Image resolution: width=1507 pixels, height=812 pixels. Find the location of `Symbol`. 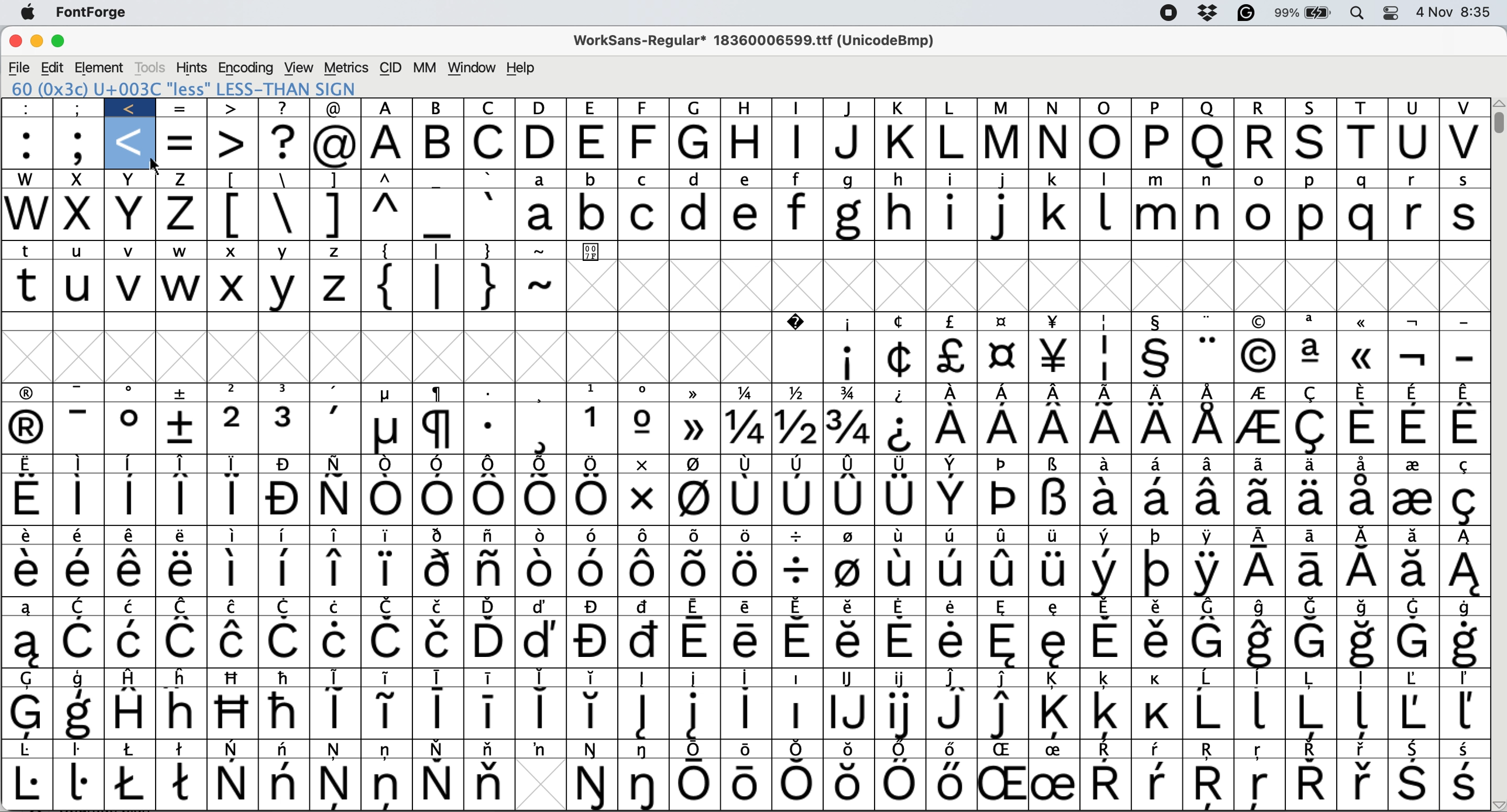

Symbol is located at coordinates (435, 785).